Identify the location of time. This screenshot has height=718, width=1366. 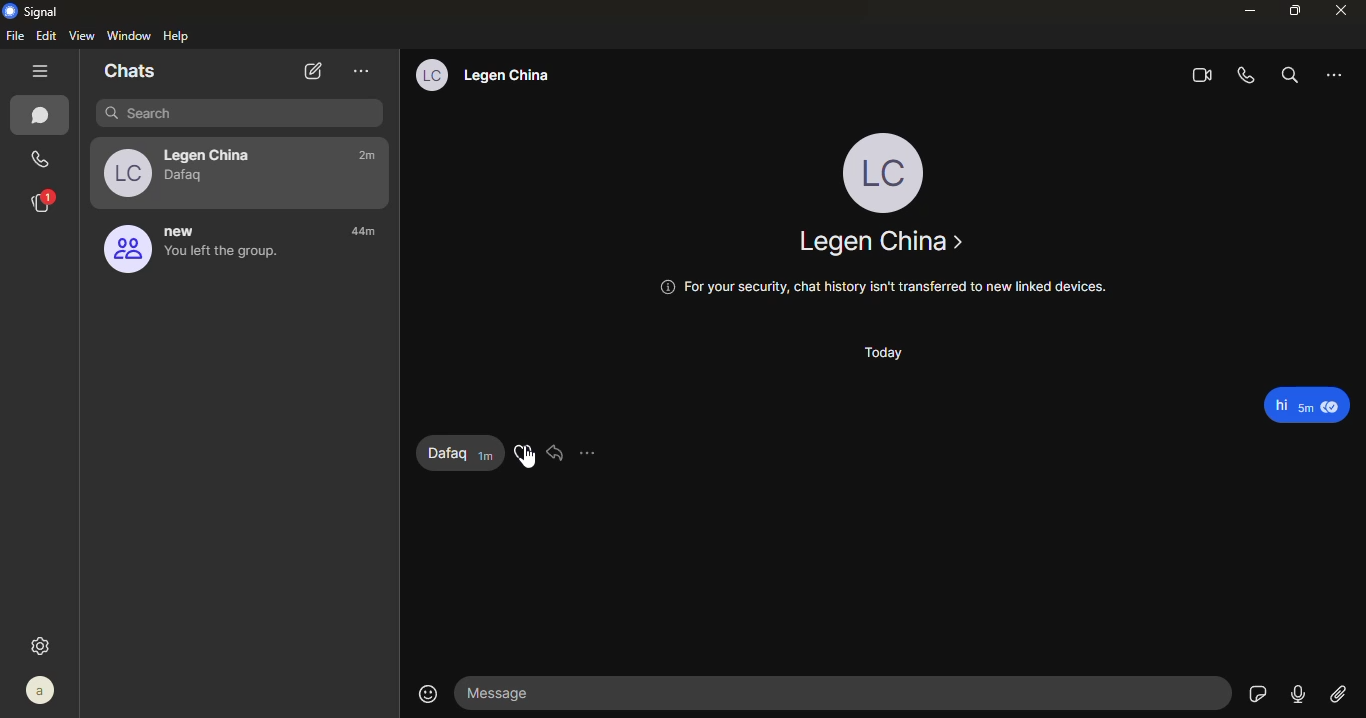
(373, 234).